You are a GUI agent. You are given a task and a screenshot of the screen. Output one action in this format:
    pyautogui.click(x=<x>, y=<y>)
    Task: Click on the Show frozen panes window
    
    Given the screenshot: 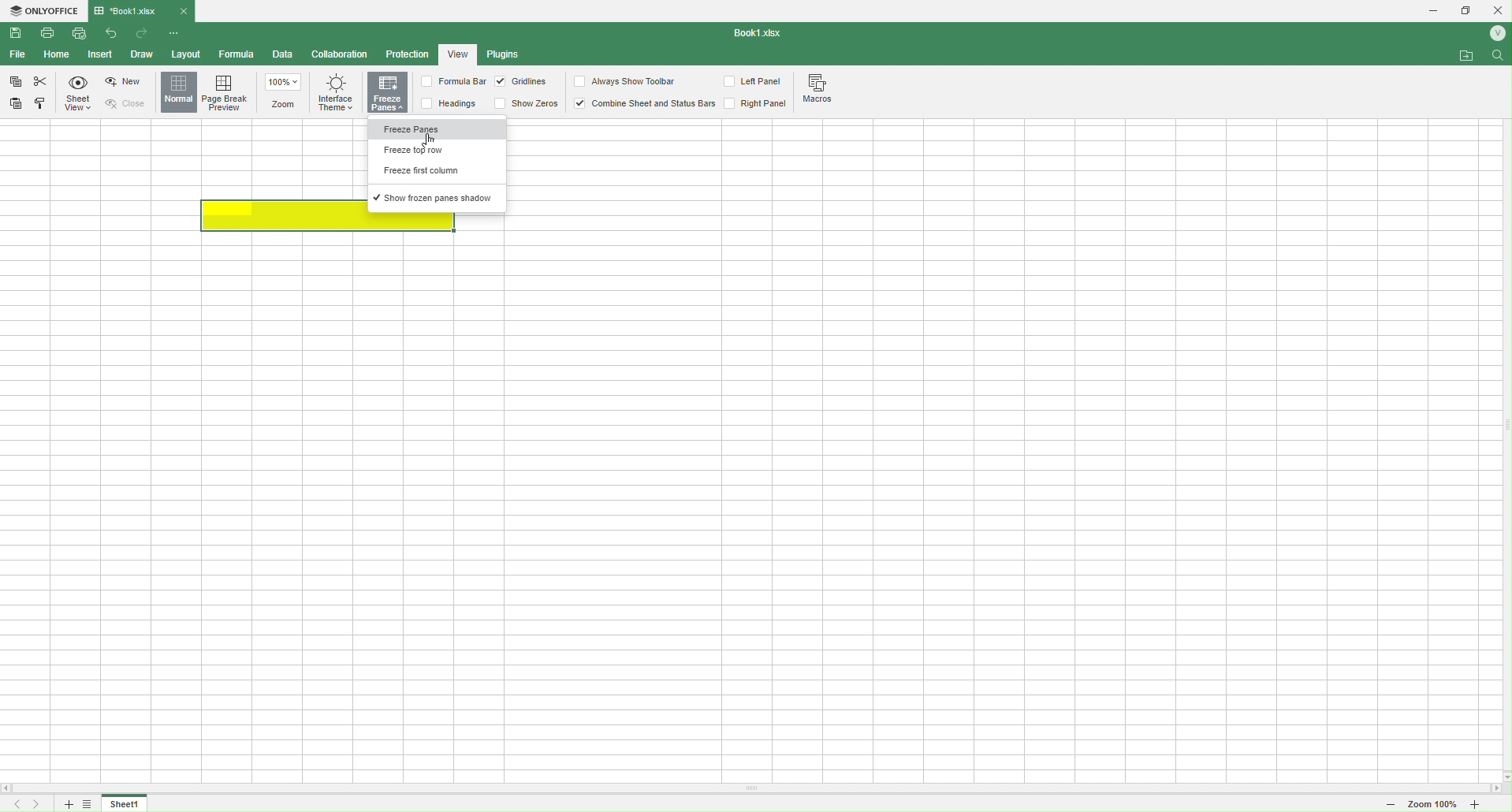 What is the action you would take?
    pyautogui.click(x=438, y=199)
    